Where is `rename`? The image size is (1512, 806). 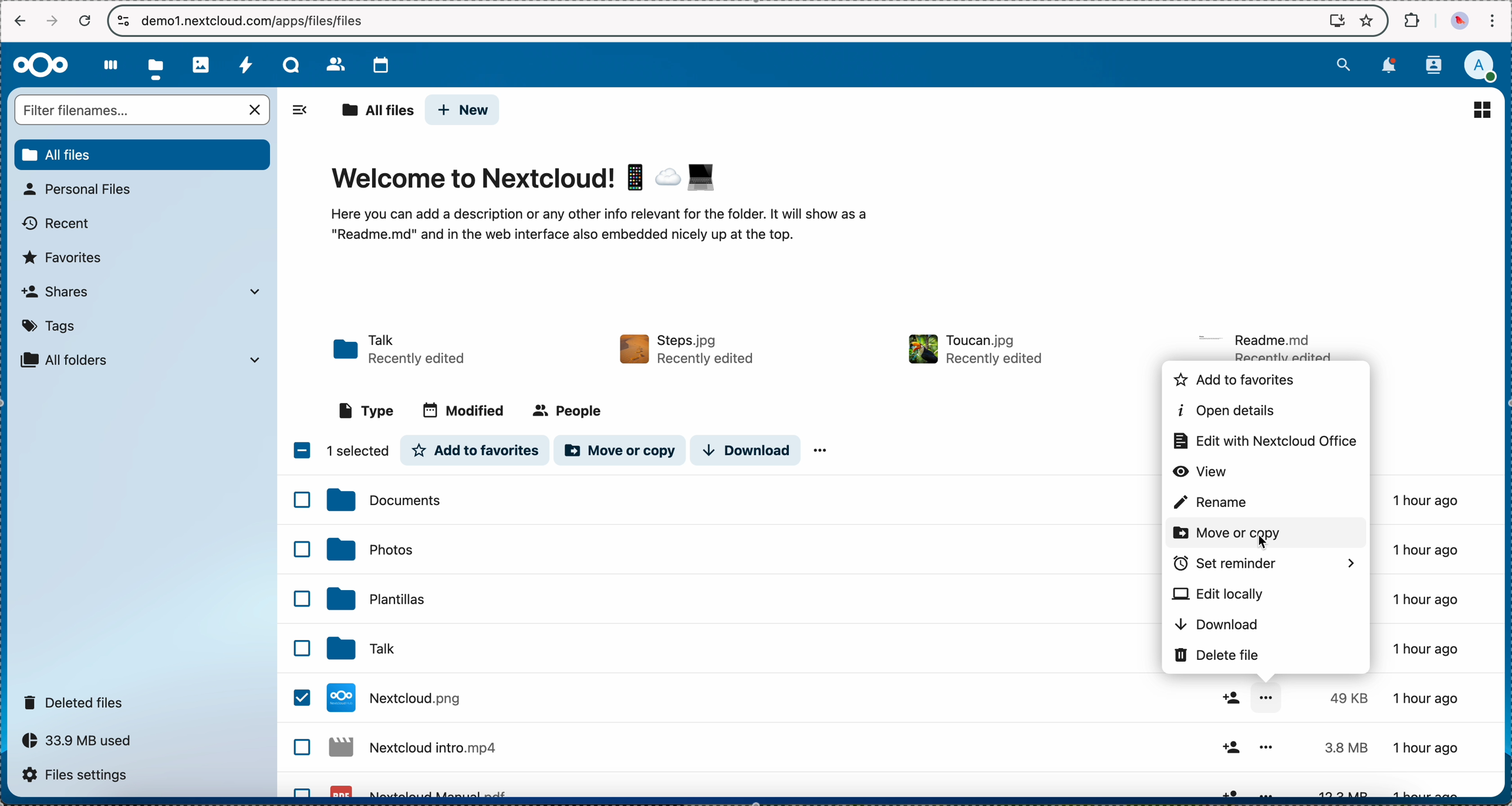 rename is located at coordinates (1214, 503).